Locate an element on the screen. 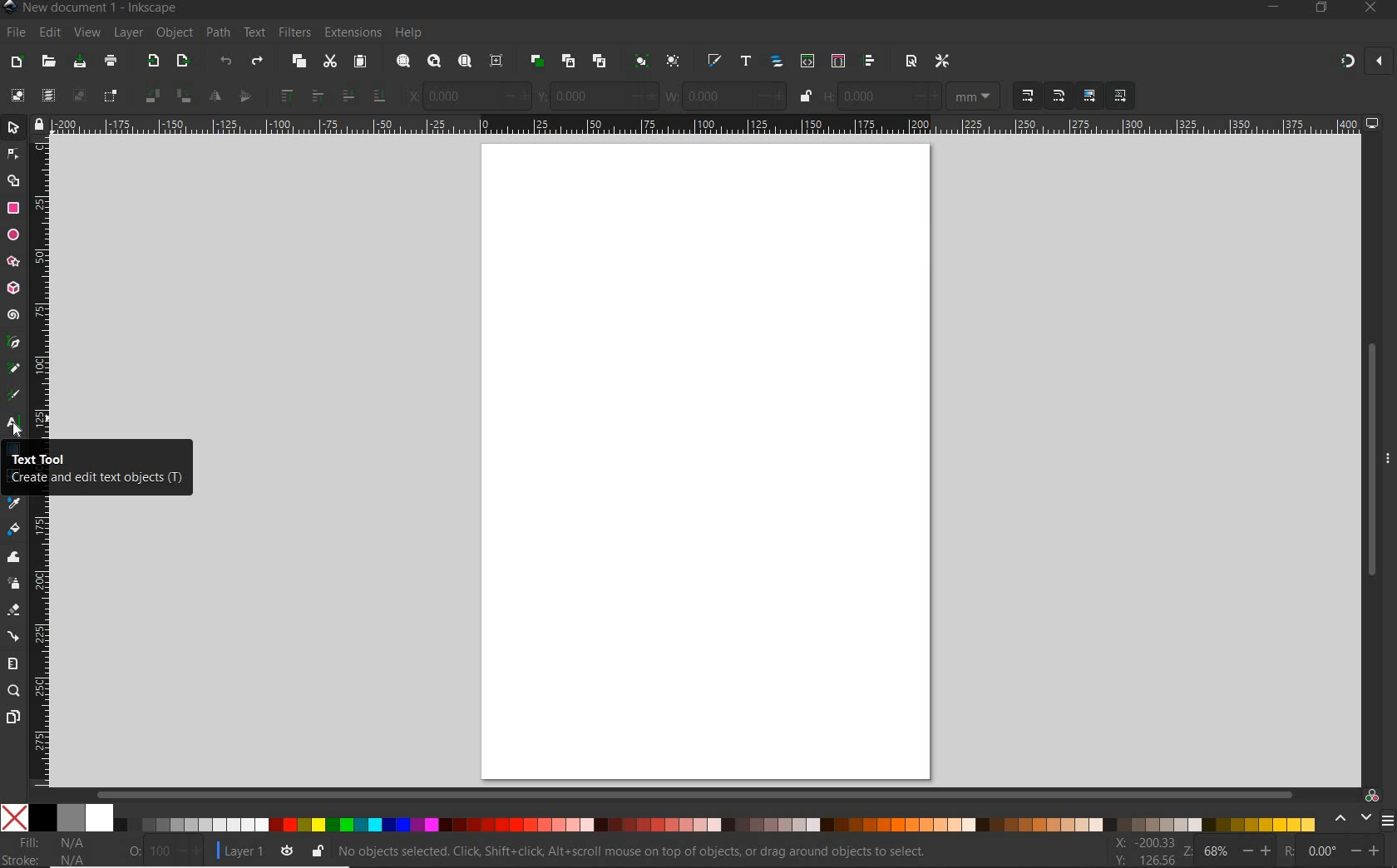 This screenshot has height=868, width=1397. open text is located at coordinates (745, 60).